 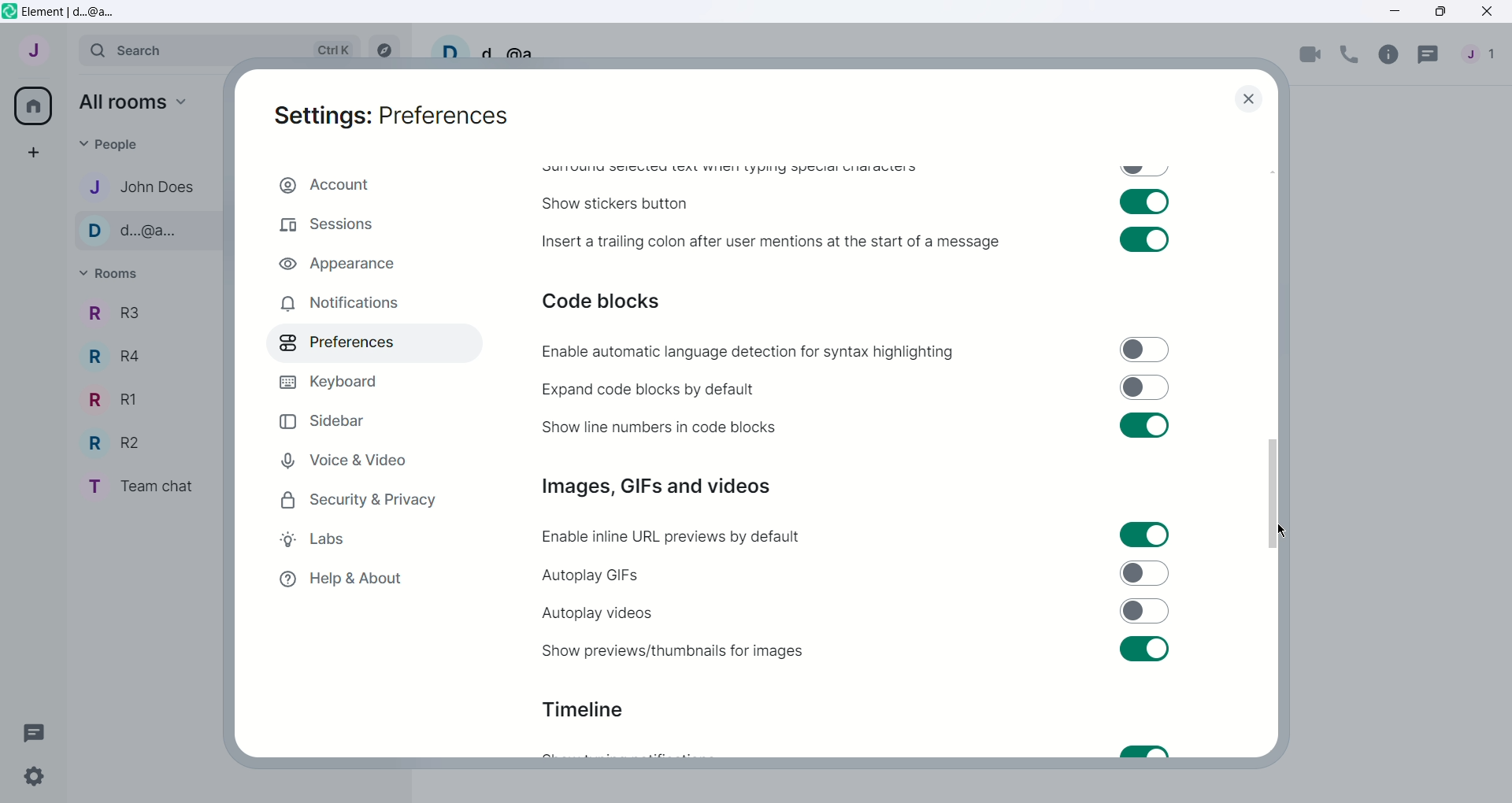 I want to click on Toggle swtich on for show stickers button, so click(x=1143, y=202).